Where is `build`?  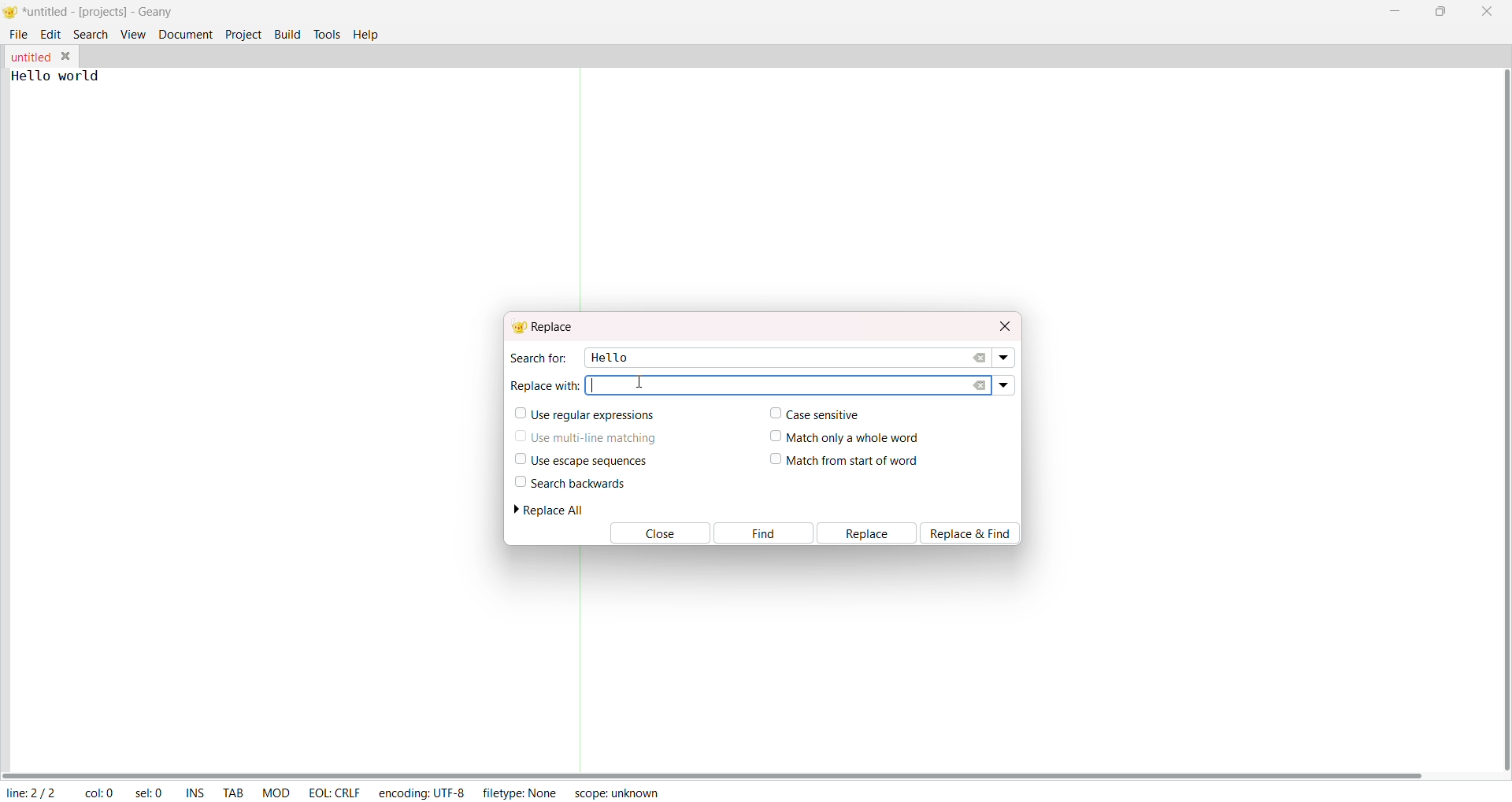
build is located at coordinates (287, 32).